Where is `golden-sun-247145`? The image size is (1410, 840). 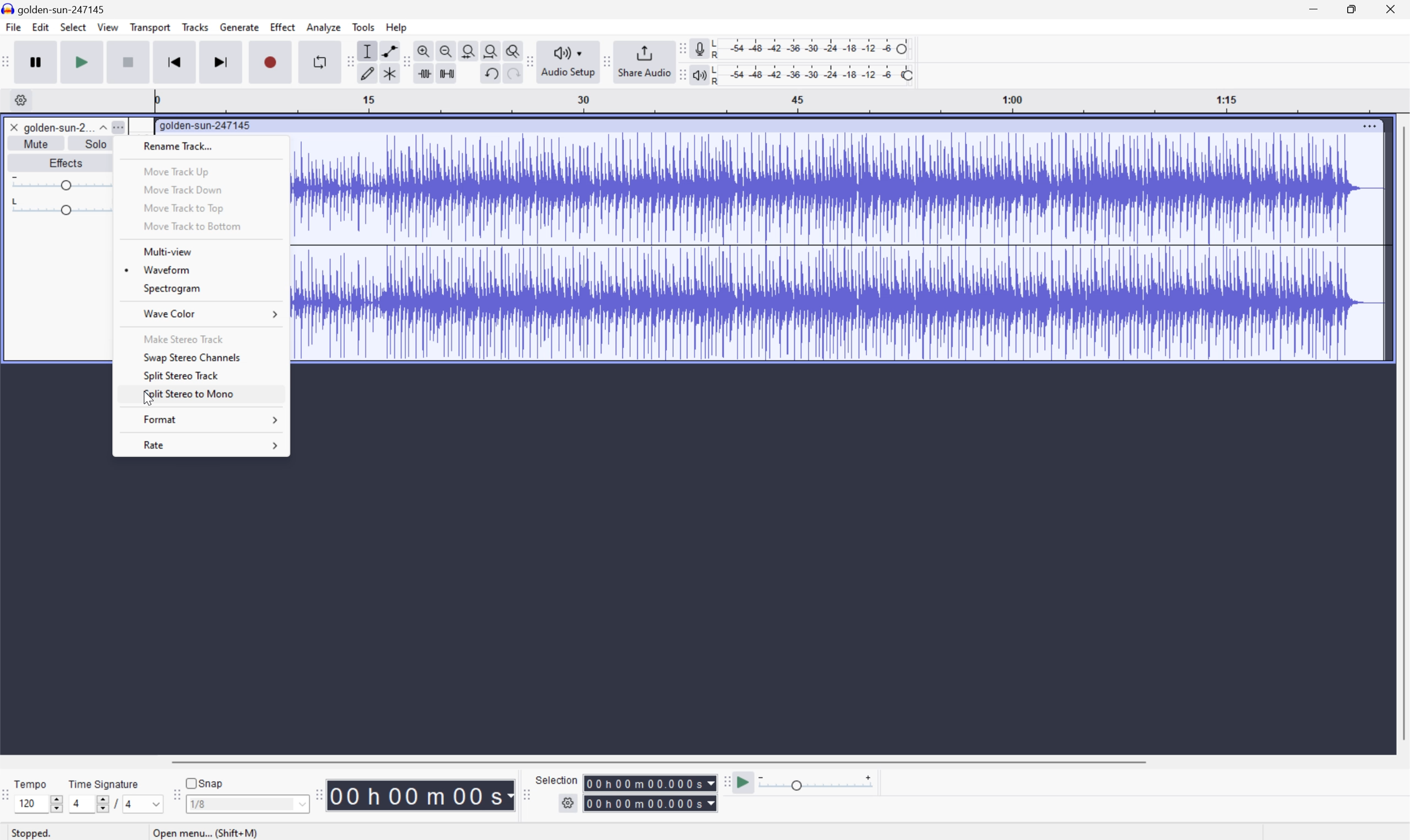 golden-sun-247145 is located at coordinates (57, 8).